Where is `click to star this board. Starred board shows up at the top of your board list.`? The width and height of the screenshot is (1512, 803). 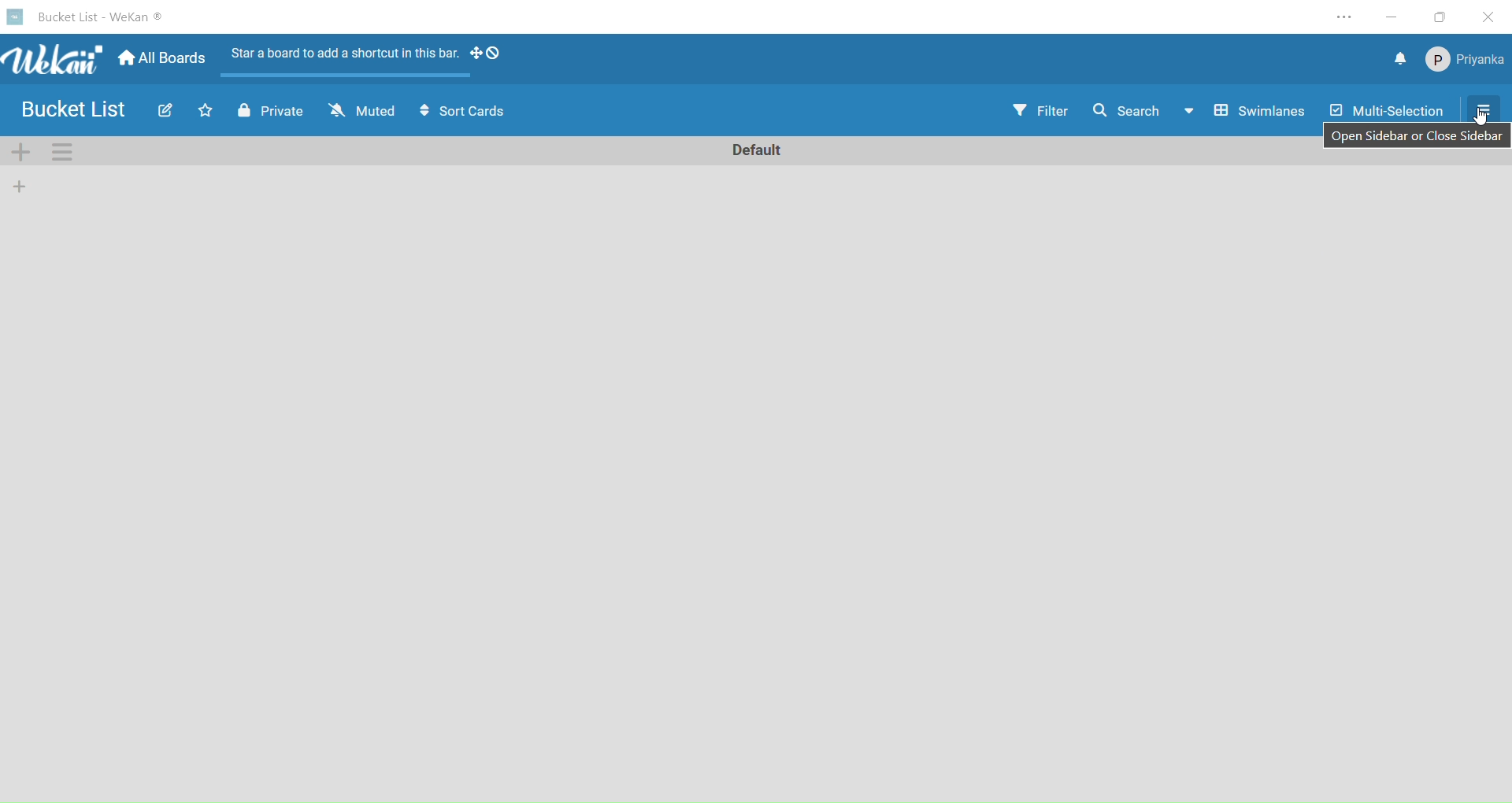 click to star this board. Starred board shows up at the top of your board list. is located at coordinates (206, 110).